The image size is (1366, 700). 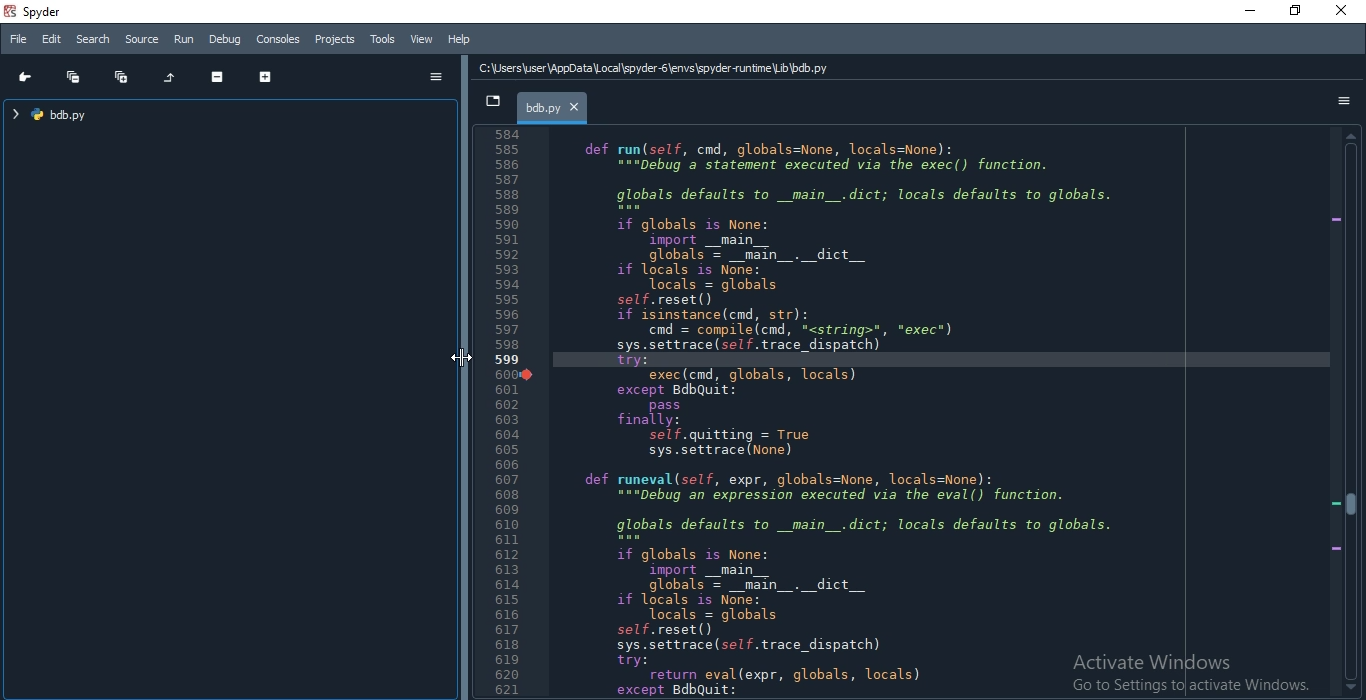 What do you see at coordinates (383, 39) in the screenshot?
I see `Tools` at bounding box center [383, 39].